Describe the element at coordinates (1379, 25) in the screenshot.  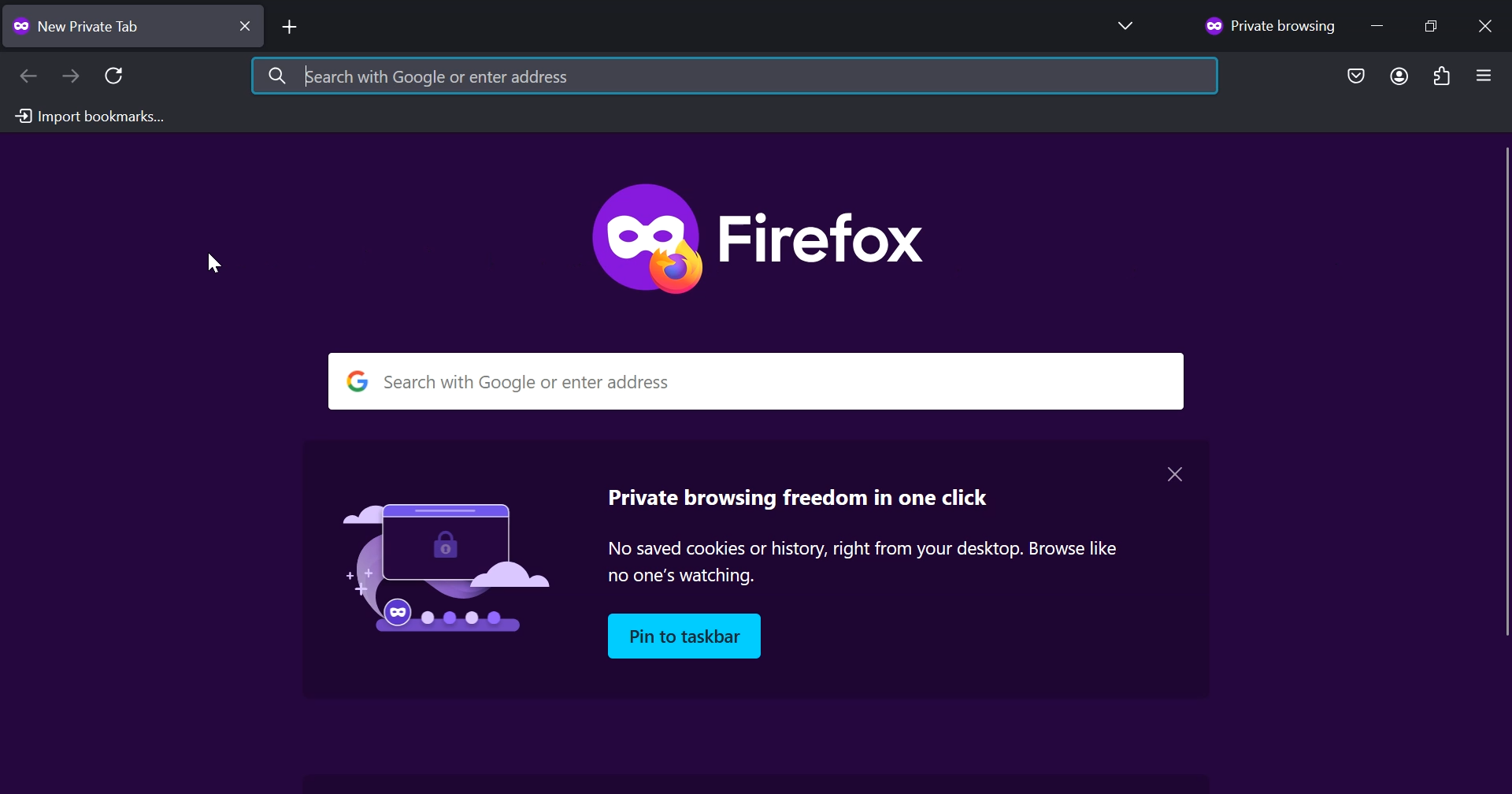
I see `Minimize` at that location.